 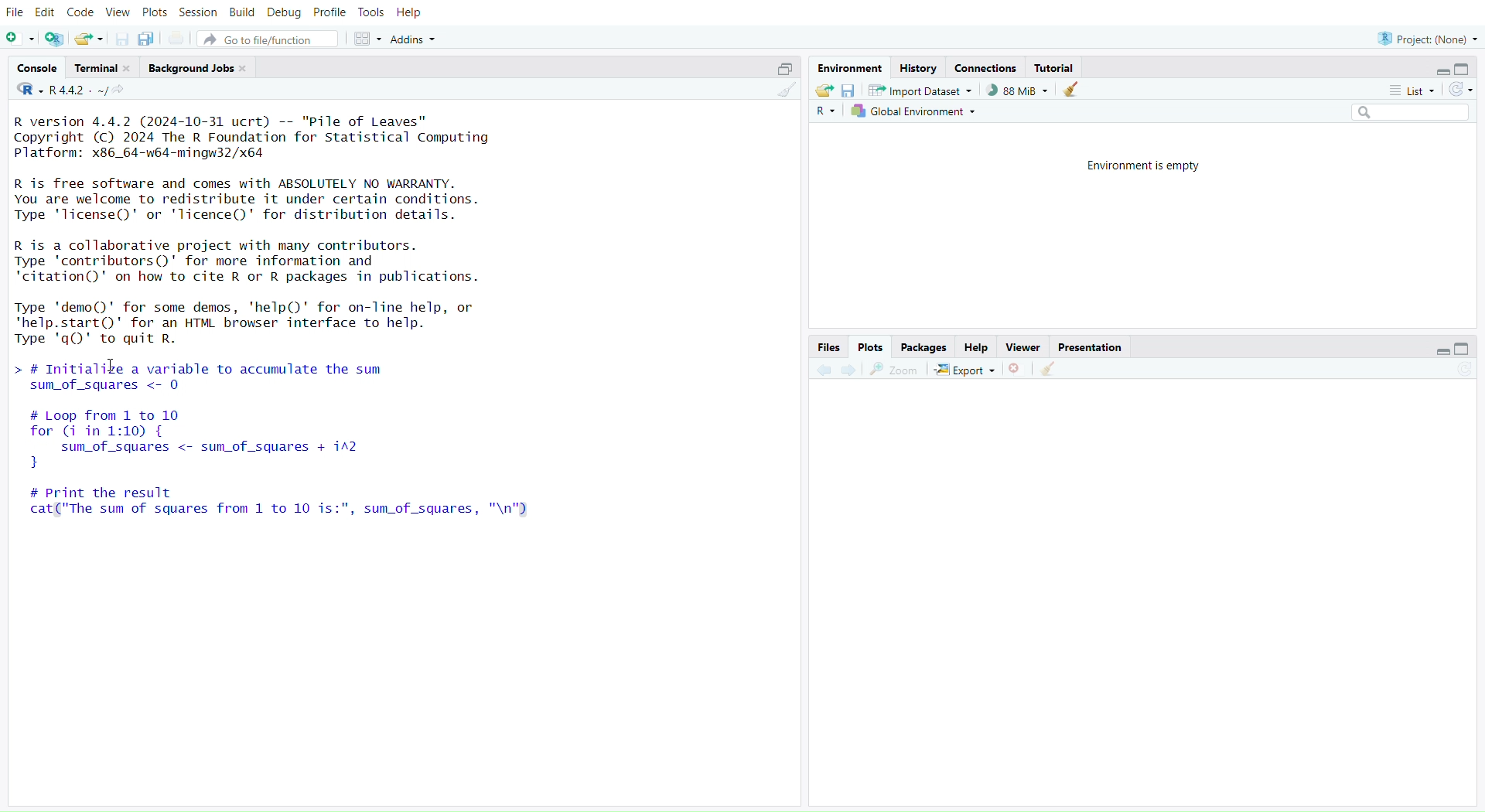 I want to click on file, so click(x=18, y=12).